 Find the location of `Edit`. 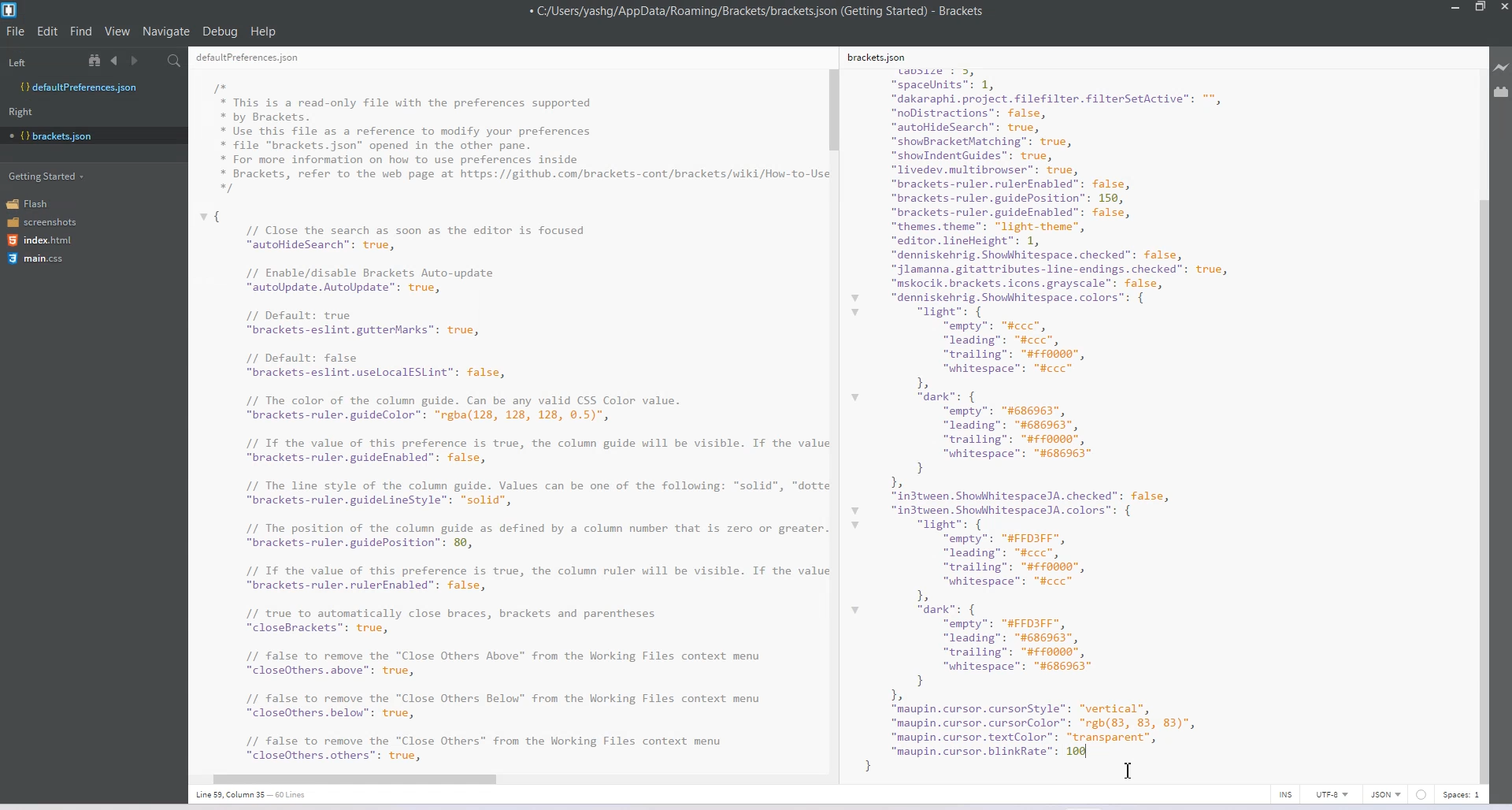

Edit is located at coordinates (49, 31).